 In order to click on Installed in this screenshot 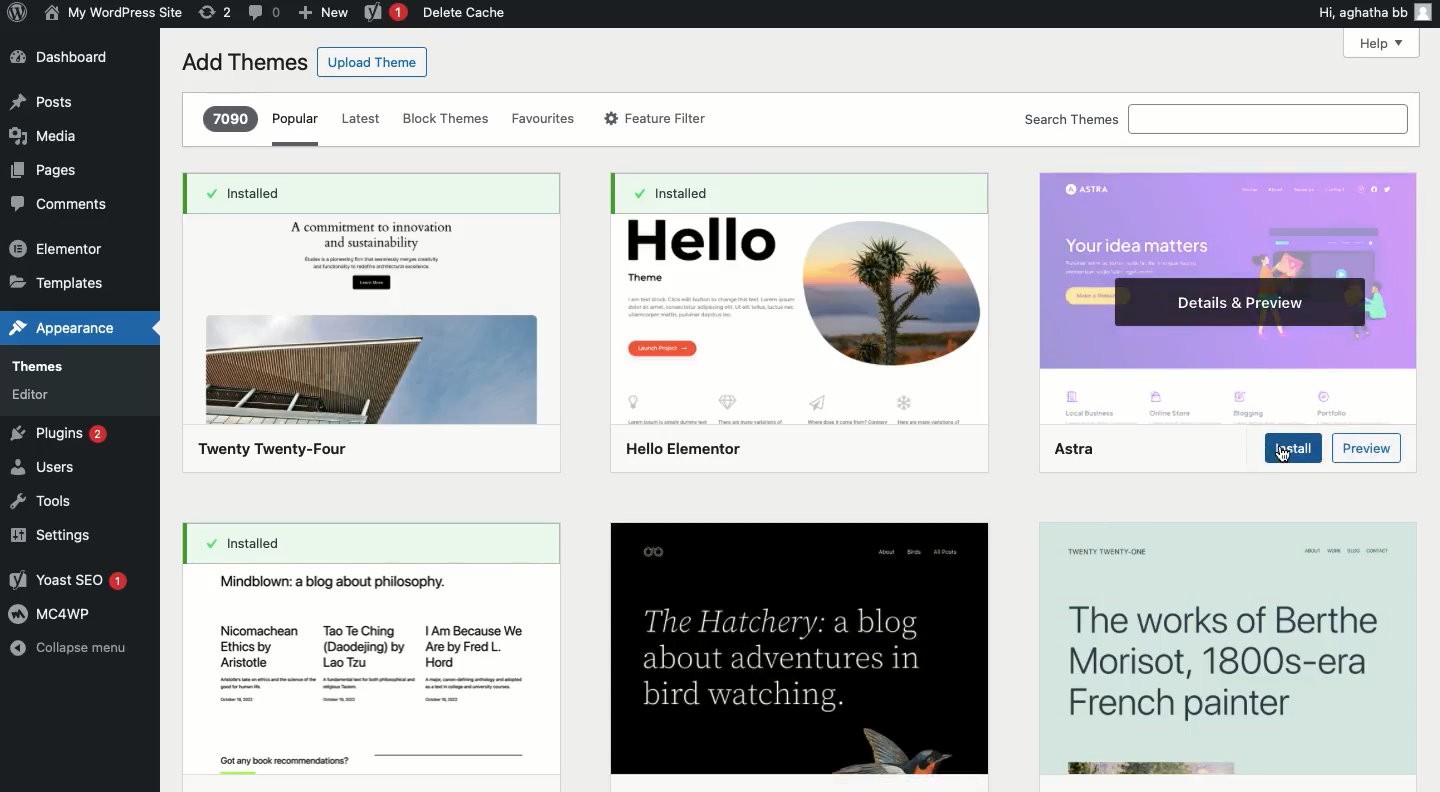, I will do `click(348, 543)`.